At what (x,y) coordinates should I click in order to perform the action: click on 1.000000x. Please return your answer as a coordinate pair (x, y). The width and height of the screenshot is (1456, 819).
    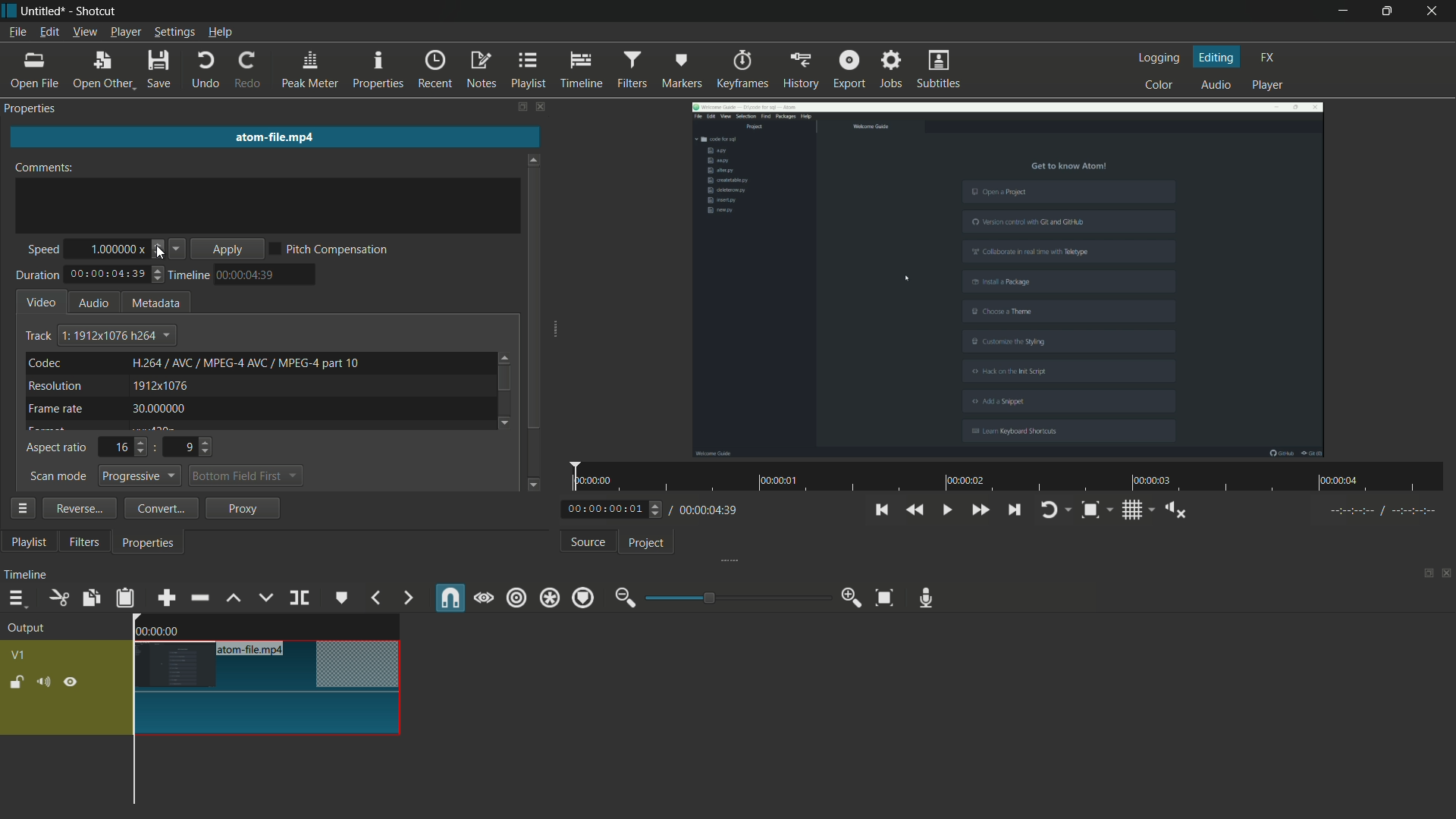
    Looking at the image, I should click on (116, 249).